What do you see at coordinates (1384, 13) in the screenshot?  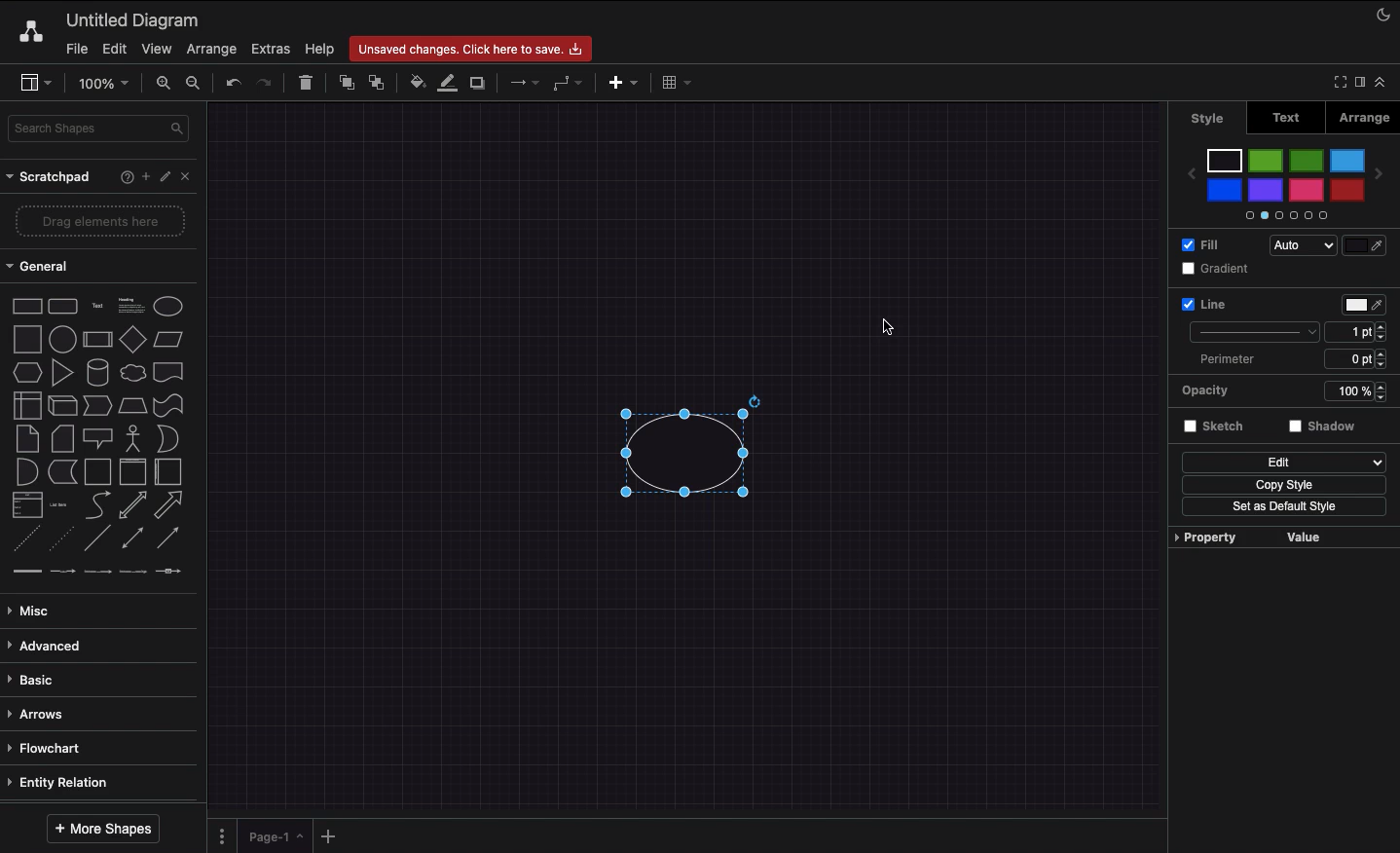 I see `Night mode ` at bounding box center [1384, 13].